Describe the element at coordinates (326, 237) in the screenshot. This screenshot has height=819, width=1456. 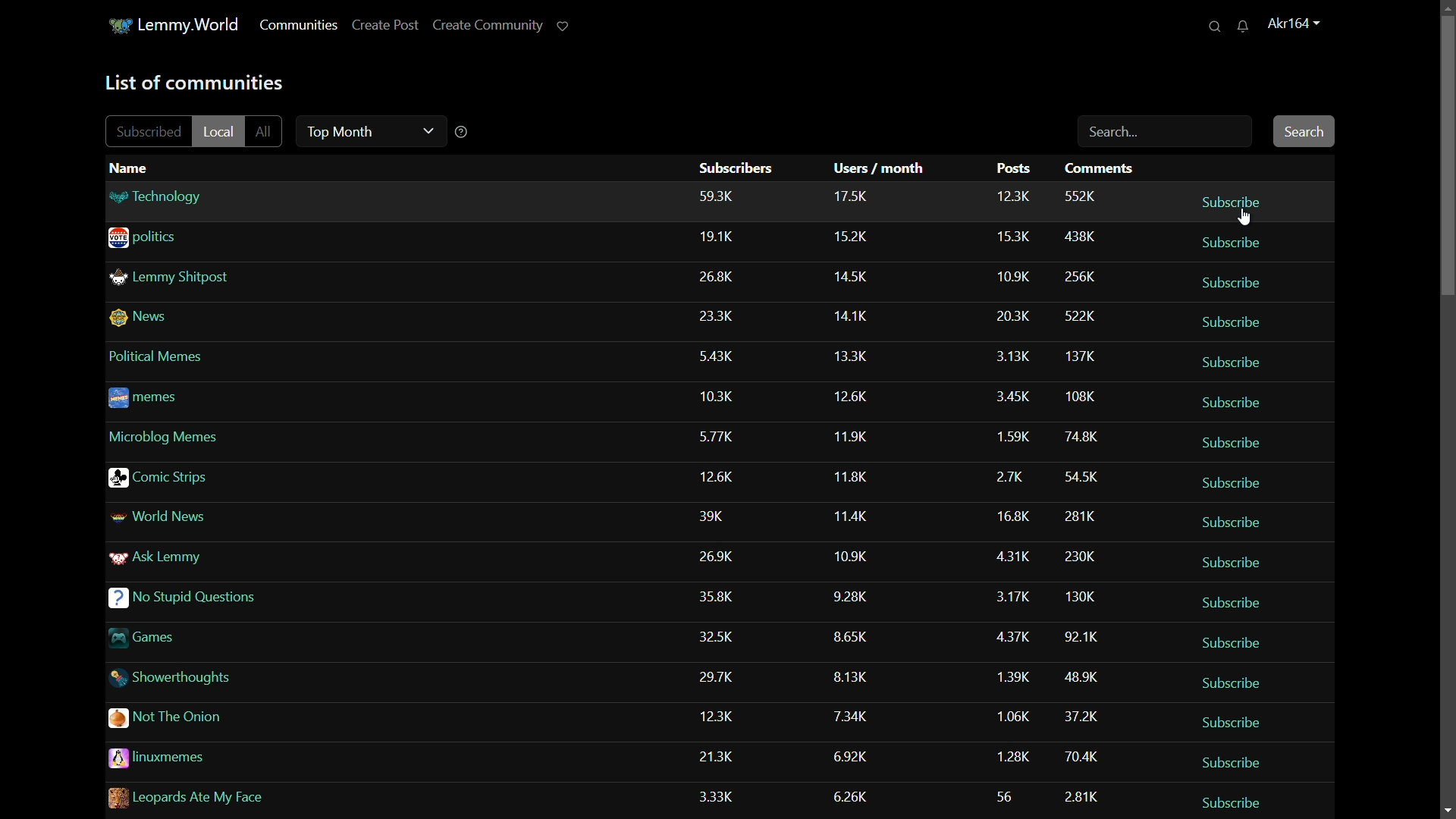
I see `communities name` at that location.